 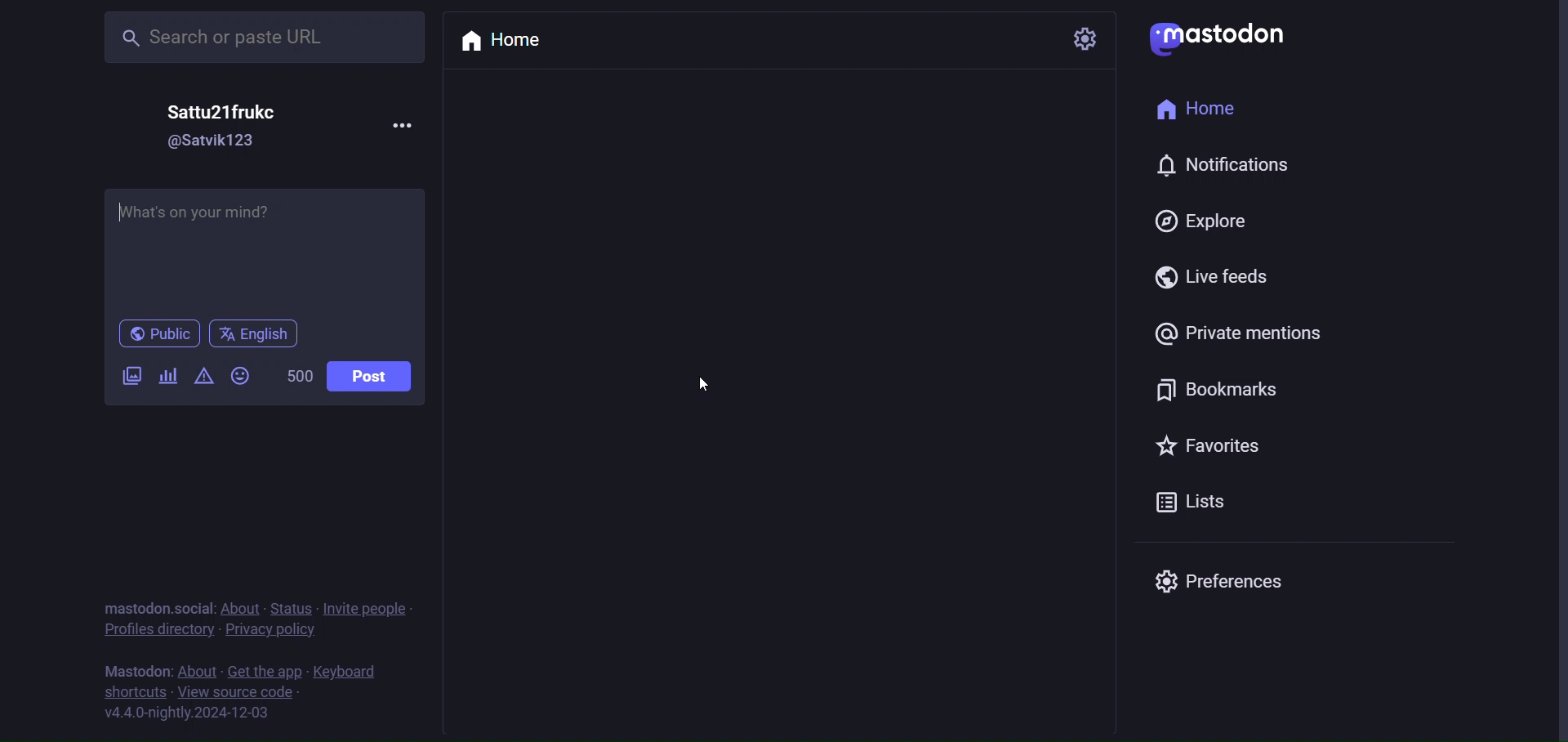 What do you see at coordinates (132, 691) in the screenshot?
I see `shortcut` at bounding box center [132, 691].